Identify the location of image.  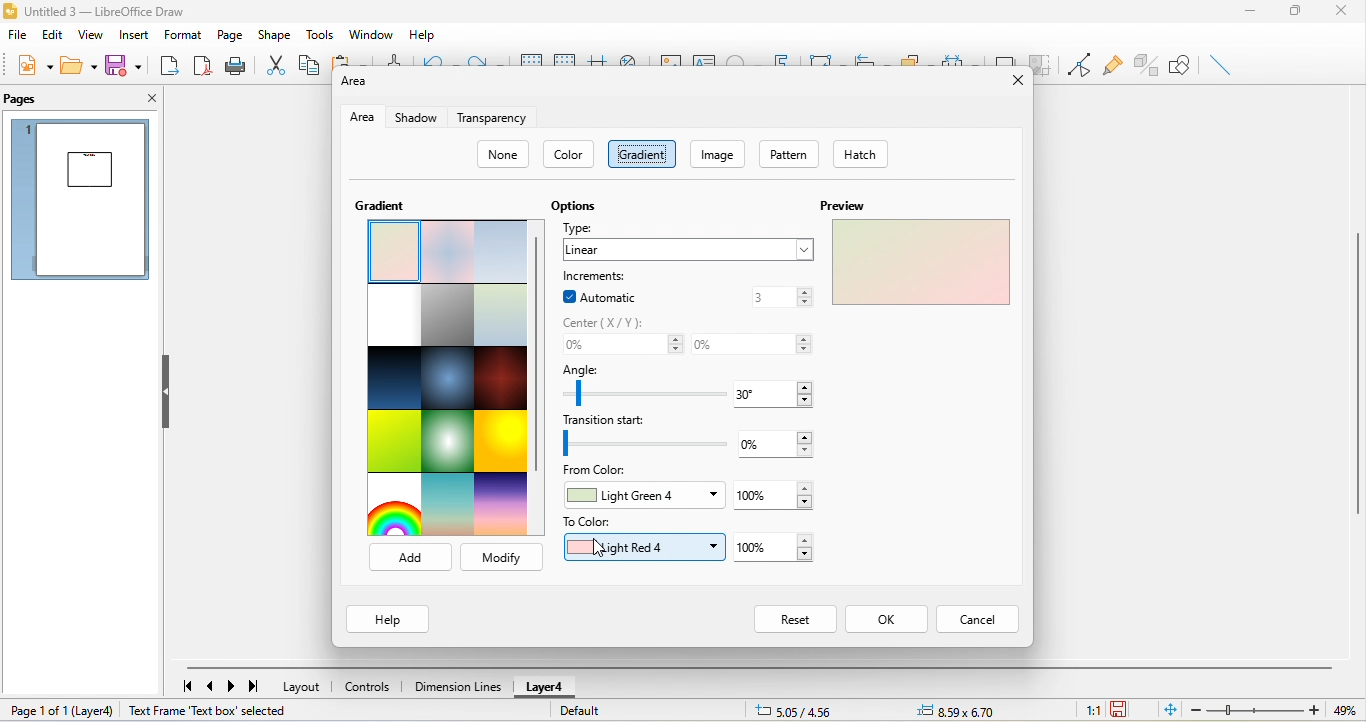
(667, 58).